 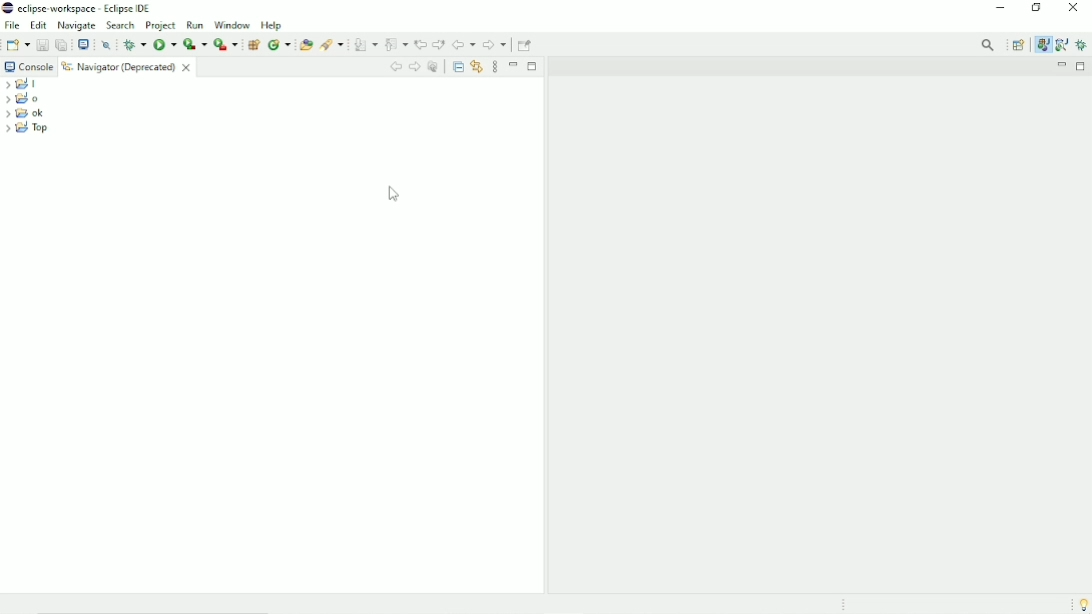 What do you see at coordinates (438, 44) in the screenshot?
I see `Next edit location` at bounding box center [438, 44].